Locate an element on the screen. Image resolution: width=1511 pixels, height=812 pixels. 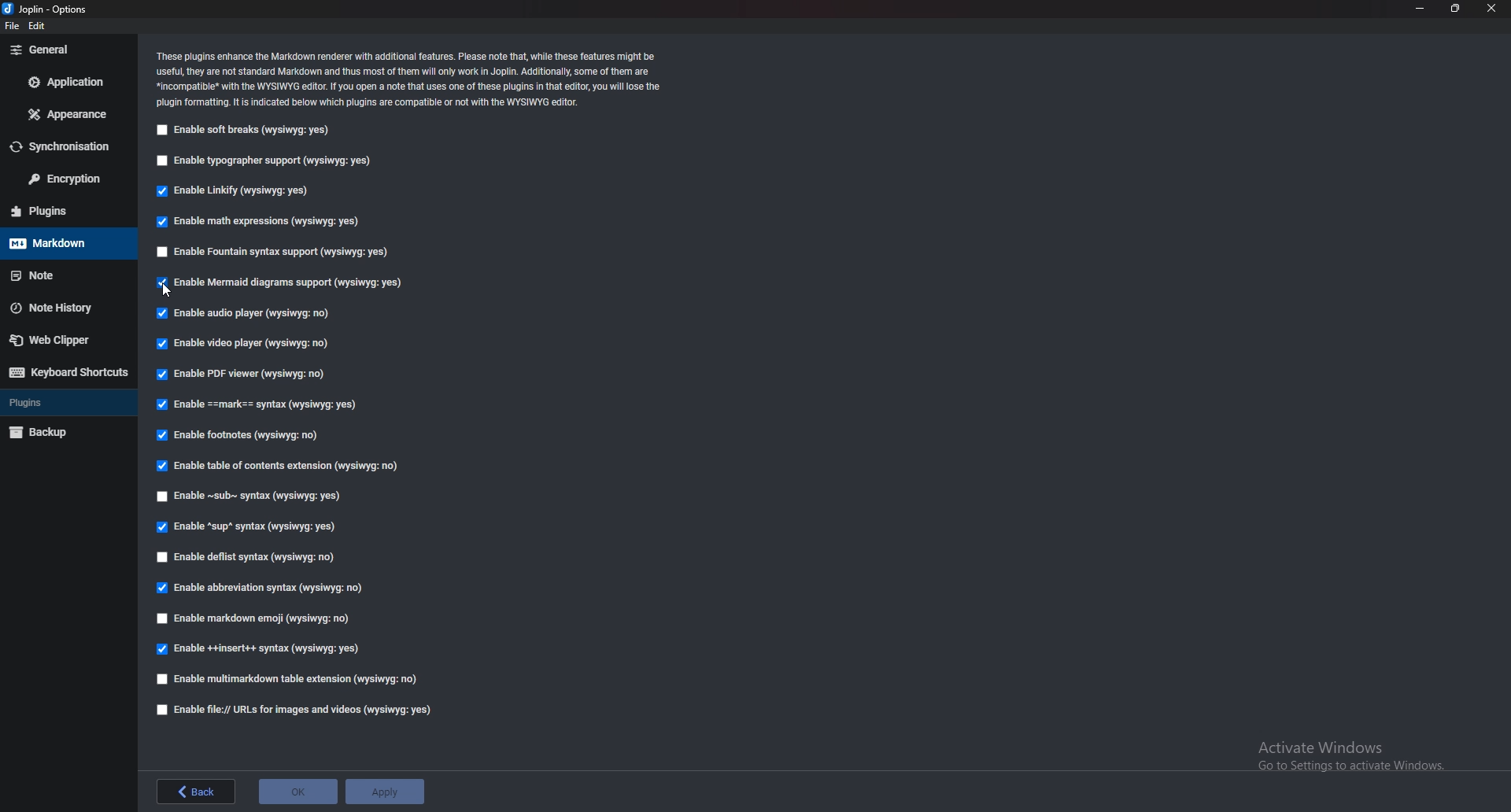
Enable video player is located at coordinates (243, 345).